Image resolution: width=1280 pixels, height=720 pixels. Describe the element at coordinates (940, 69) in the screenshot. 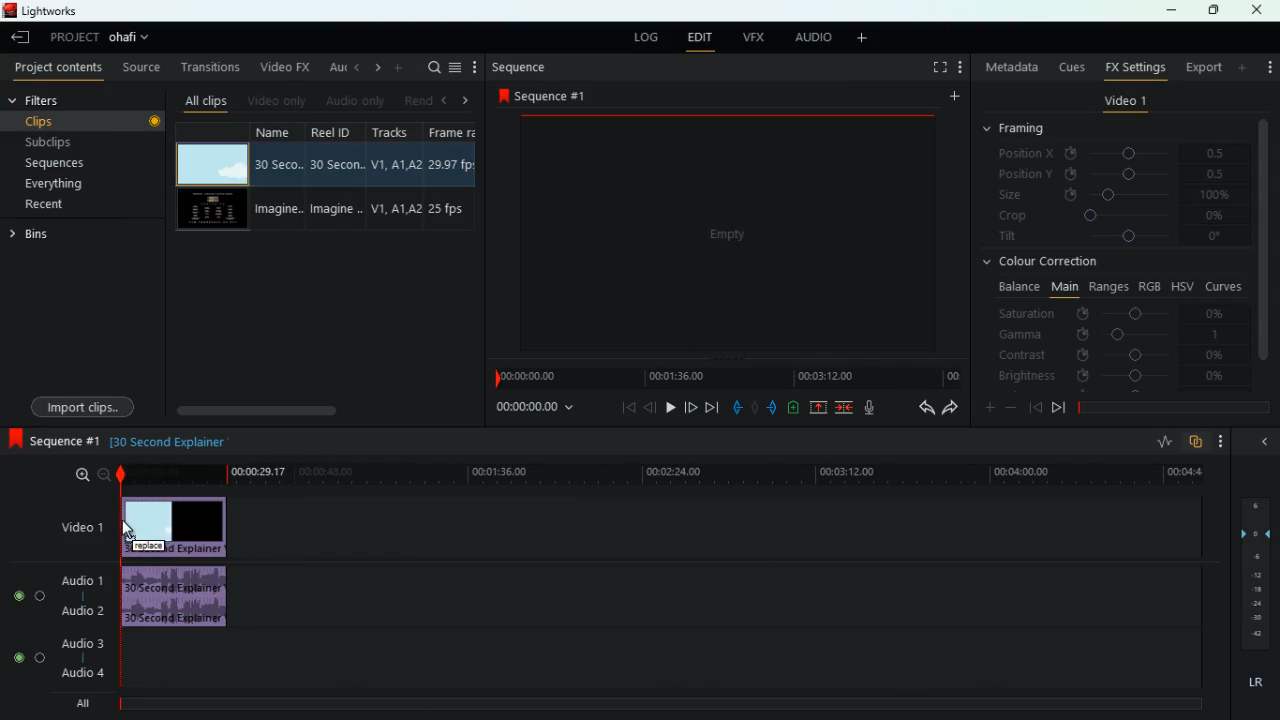

I see `full screen` at that location.